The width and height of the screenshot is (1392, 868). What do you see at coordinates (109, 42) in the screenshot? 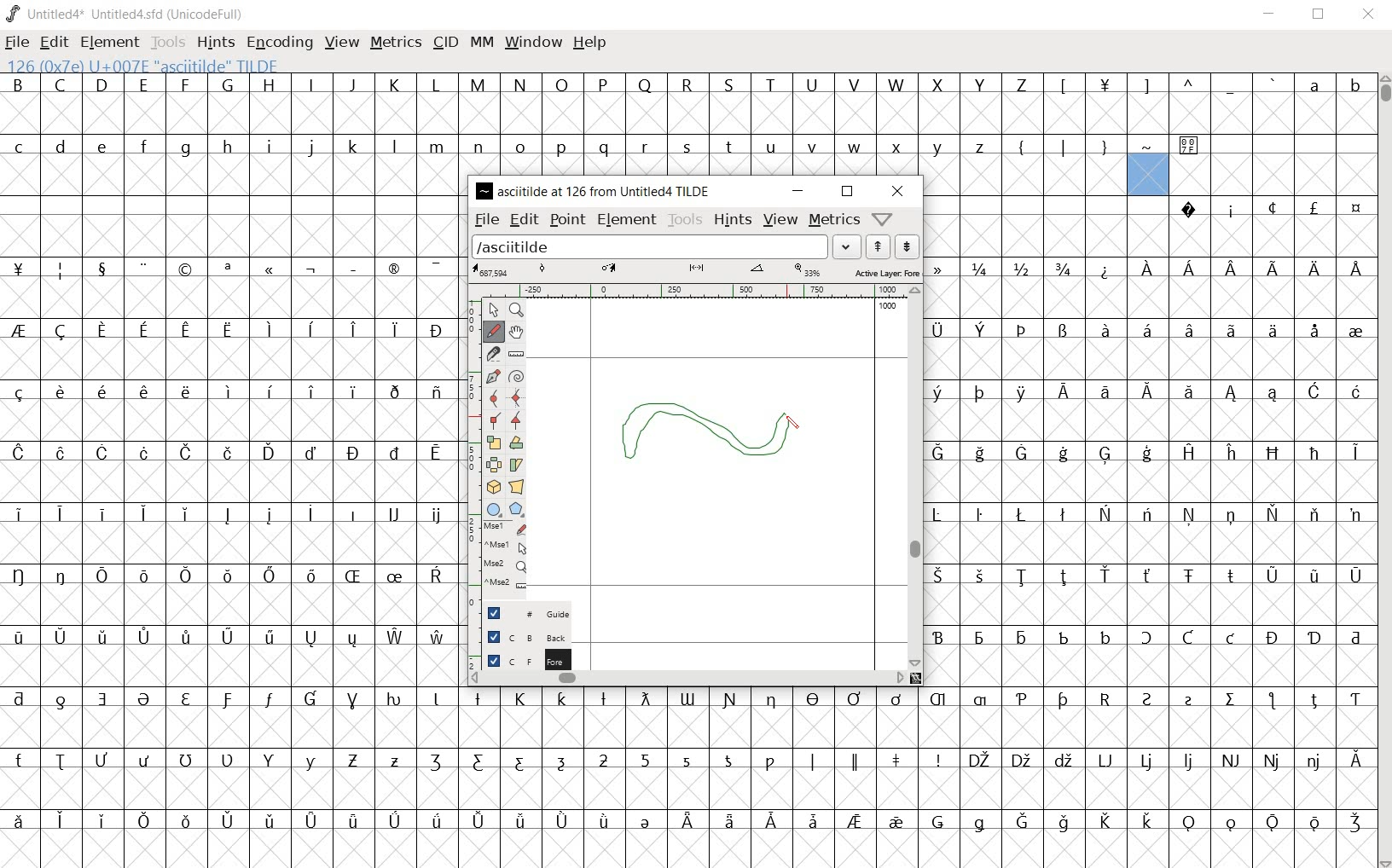
I see `ELEMENT` at bounding box center [109, 42].